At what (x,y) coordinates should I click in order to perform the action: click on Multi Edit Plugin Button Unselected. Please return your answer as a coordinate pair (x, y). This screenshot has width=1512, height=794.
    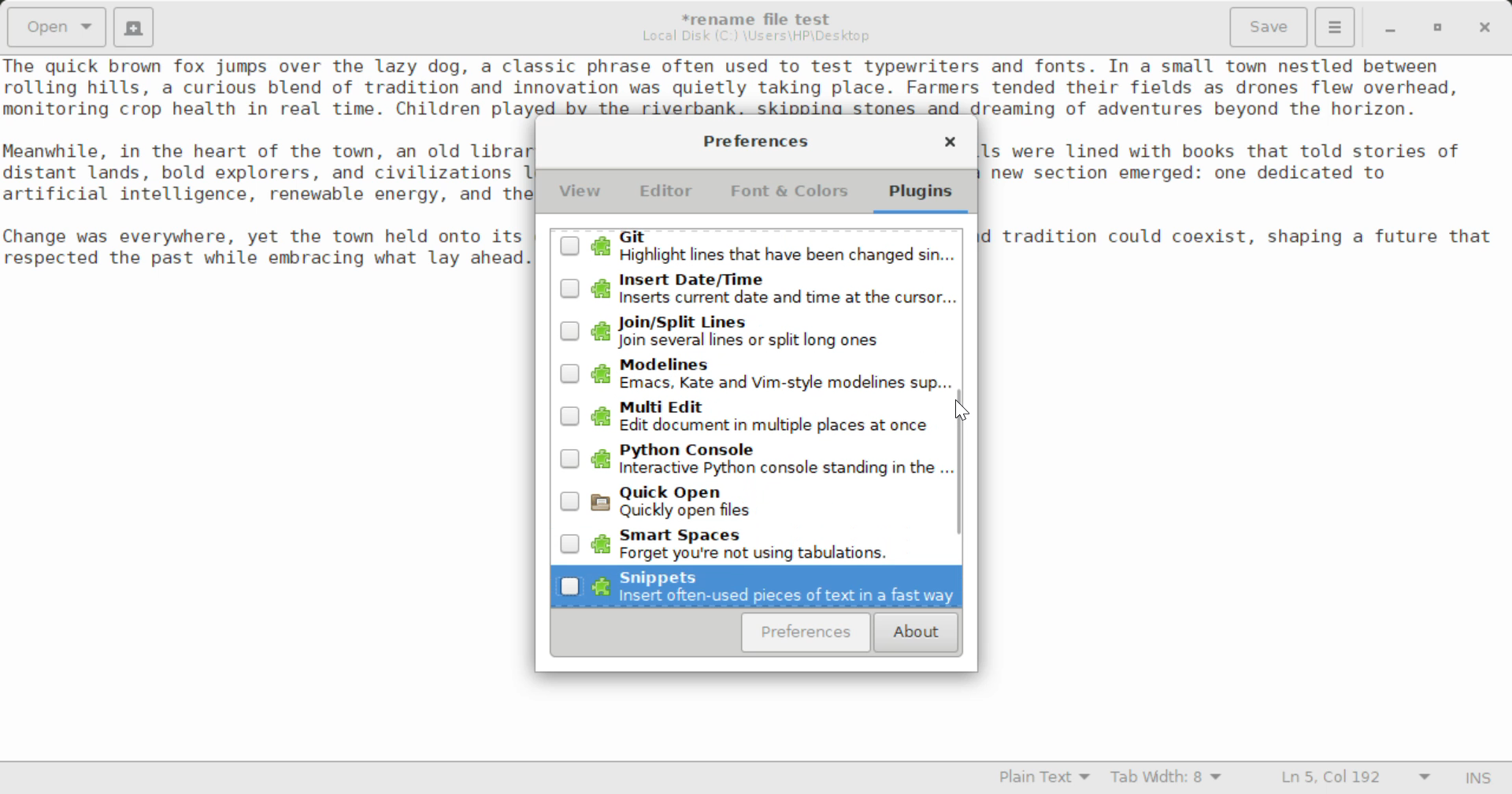
    Looking at the image, I should click on (751, 415).